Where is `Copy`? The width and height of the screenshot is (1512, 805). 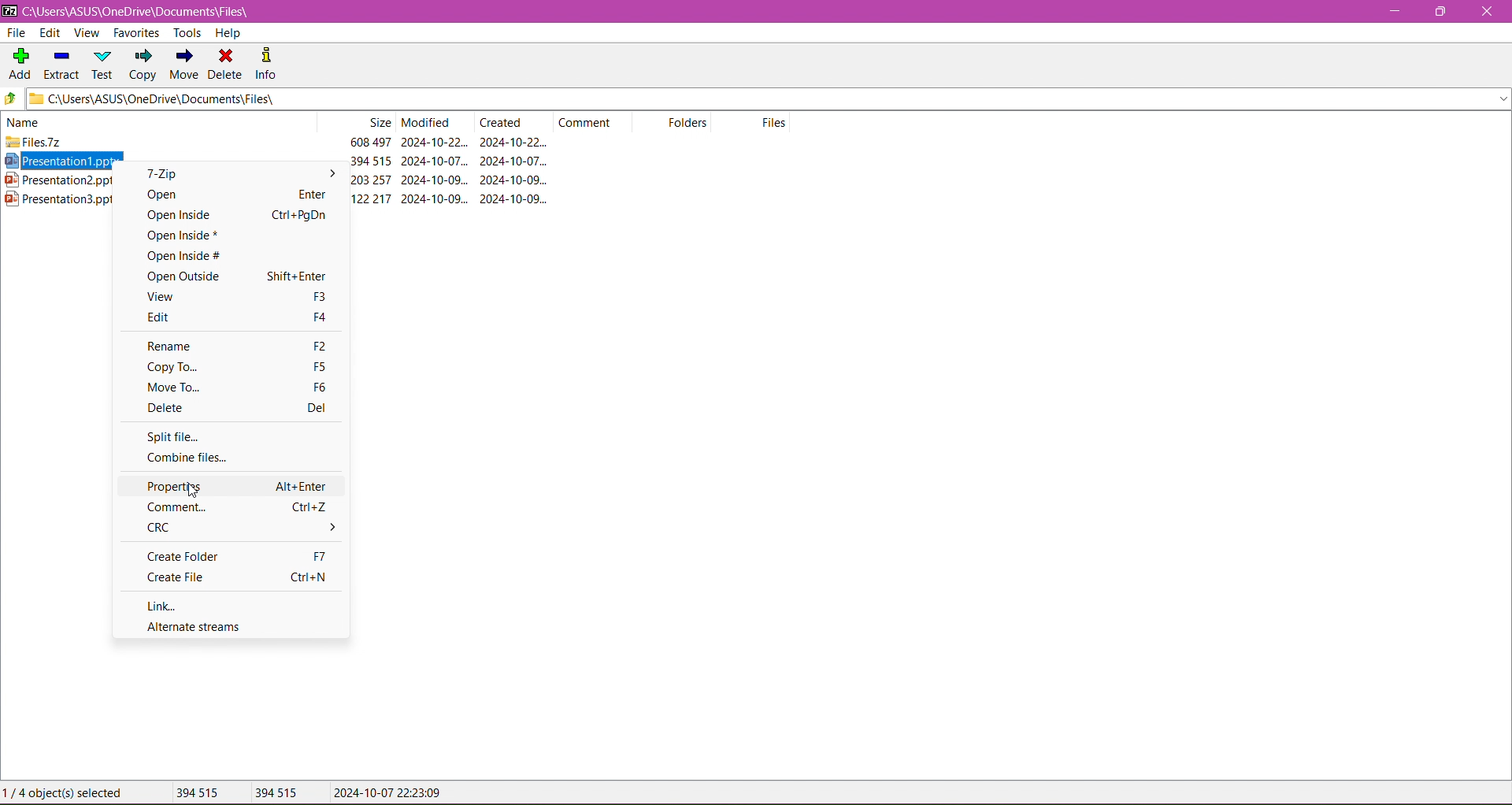 Copy is located at coordinates (144, 65).